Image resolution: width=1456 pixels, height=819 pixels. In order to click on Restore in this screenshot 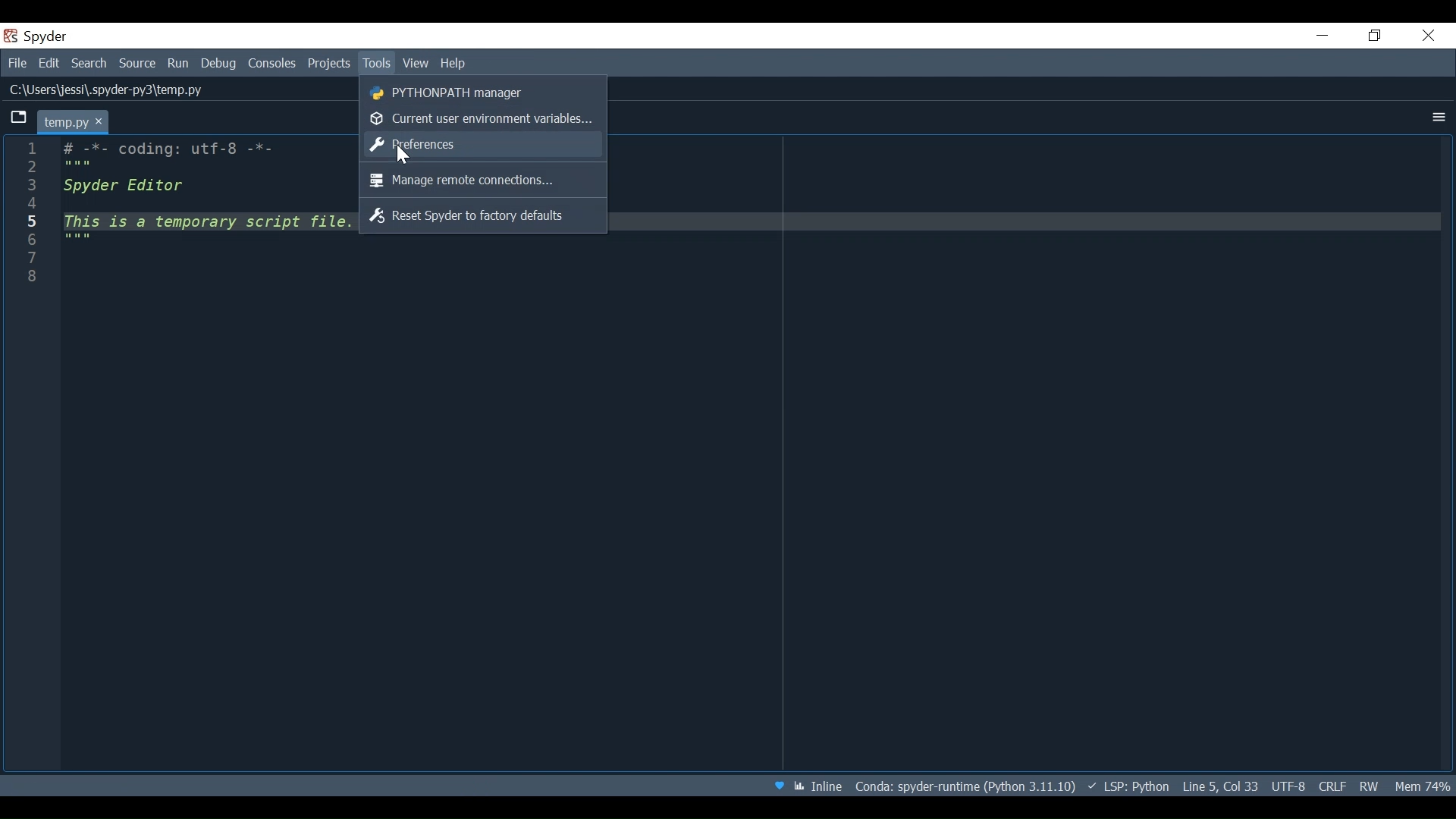, I will do `click(1376, 36)`.